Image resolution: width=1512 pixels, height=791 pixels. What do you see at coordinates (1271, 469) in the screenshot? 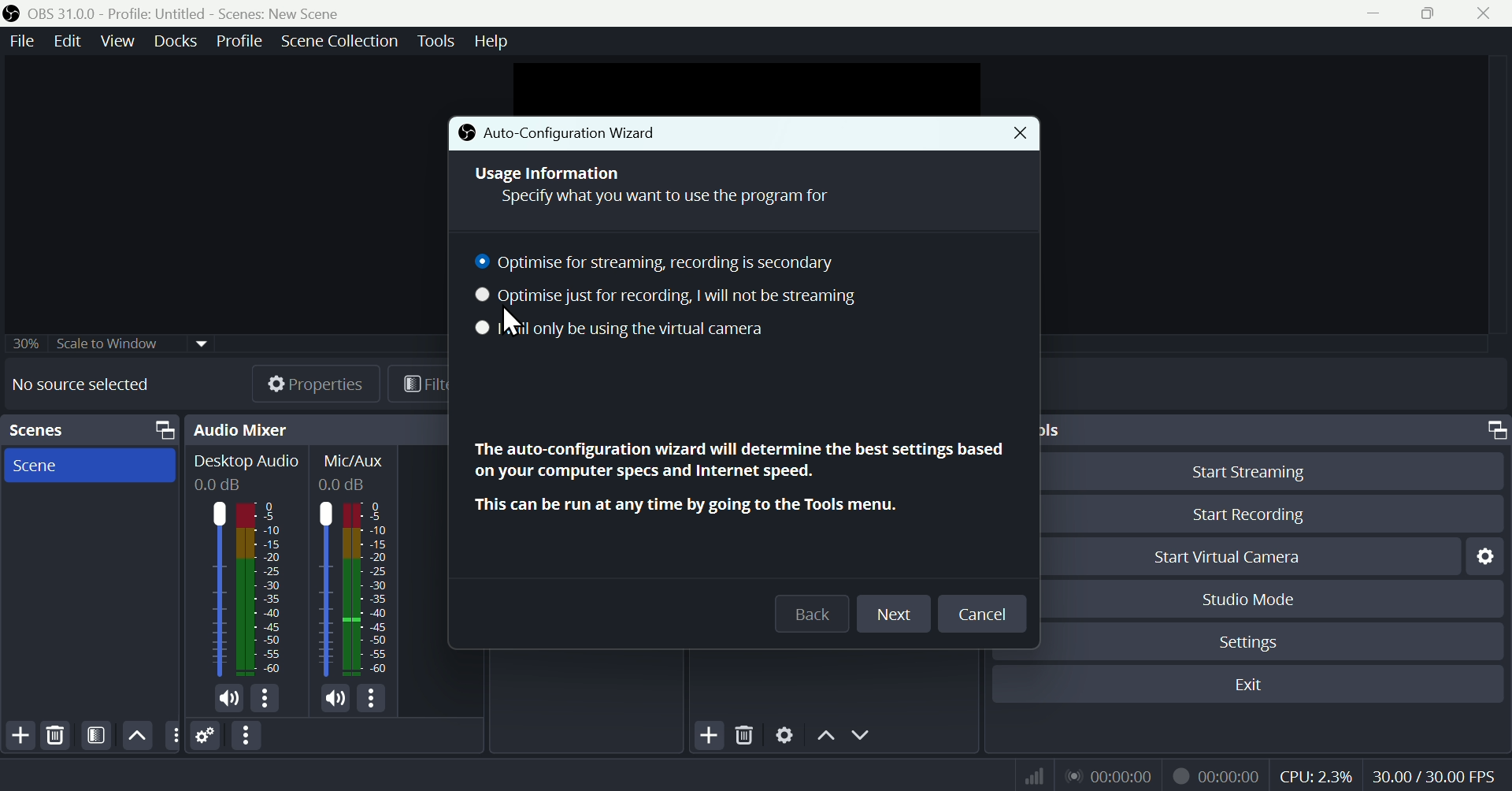
I see `Start Streaming` at bounding box center [1271, 469].